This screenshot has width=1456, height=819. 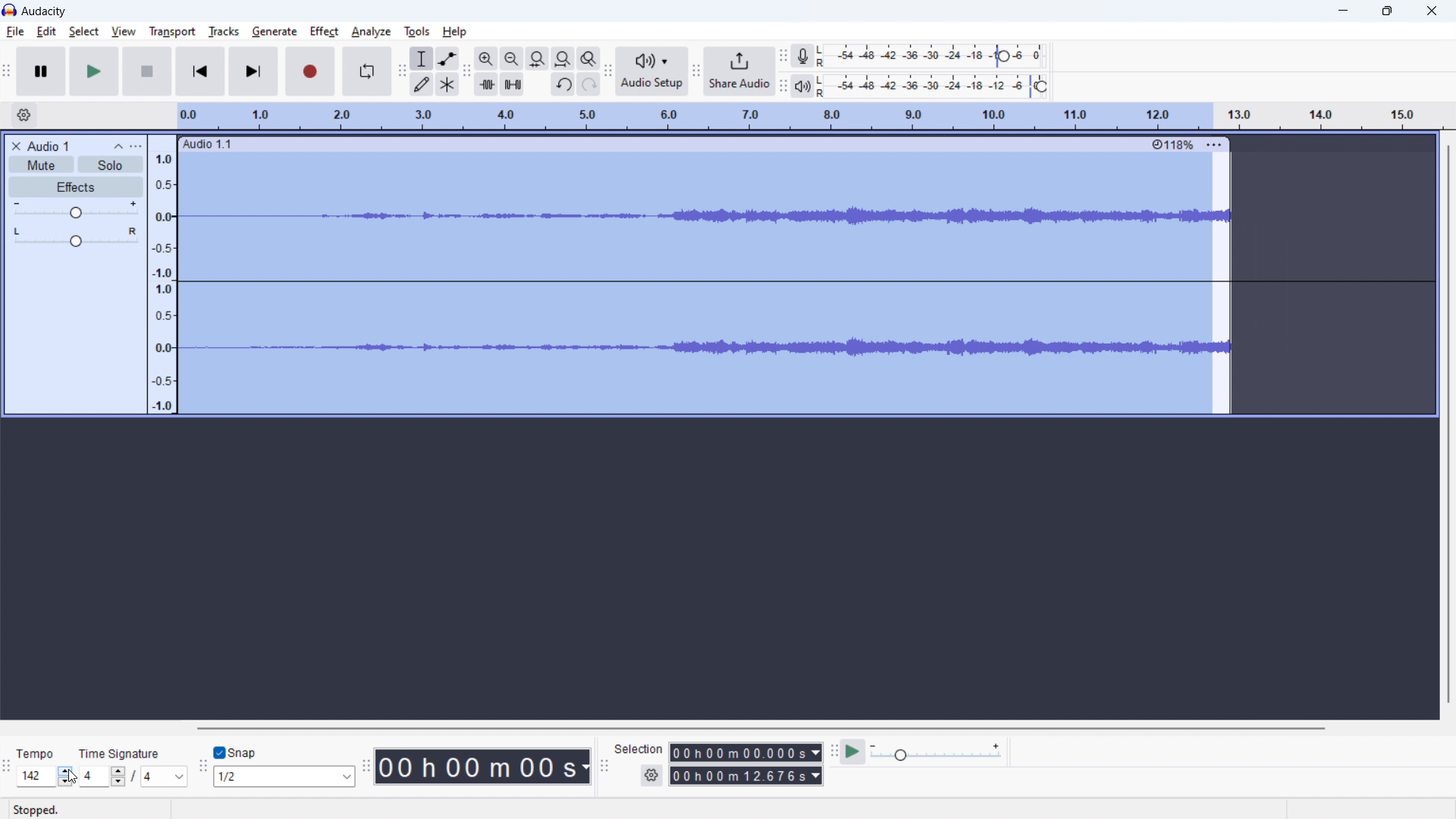 What do you see at coordinates (639, 752) in the screenshot?
I see `Seledon` at bounding box center [639, 752].